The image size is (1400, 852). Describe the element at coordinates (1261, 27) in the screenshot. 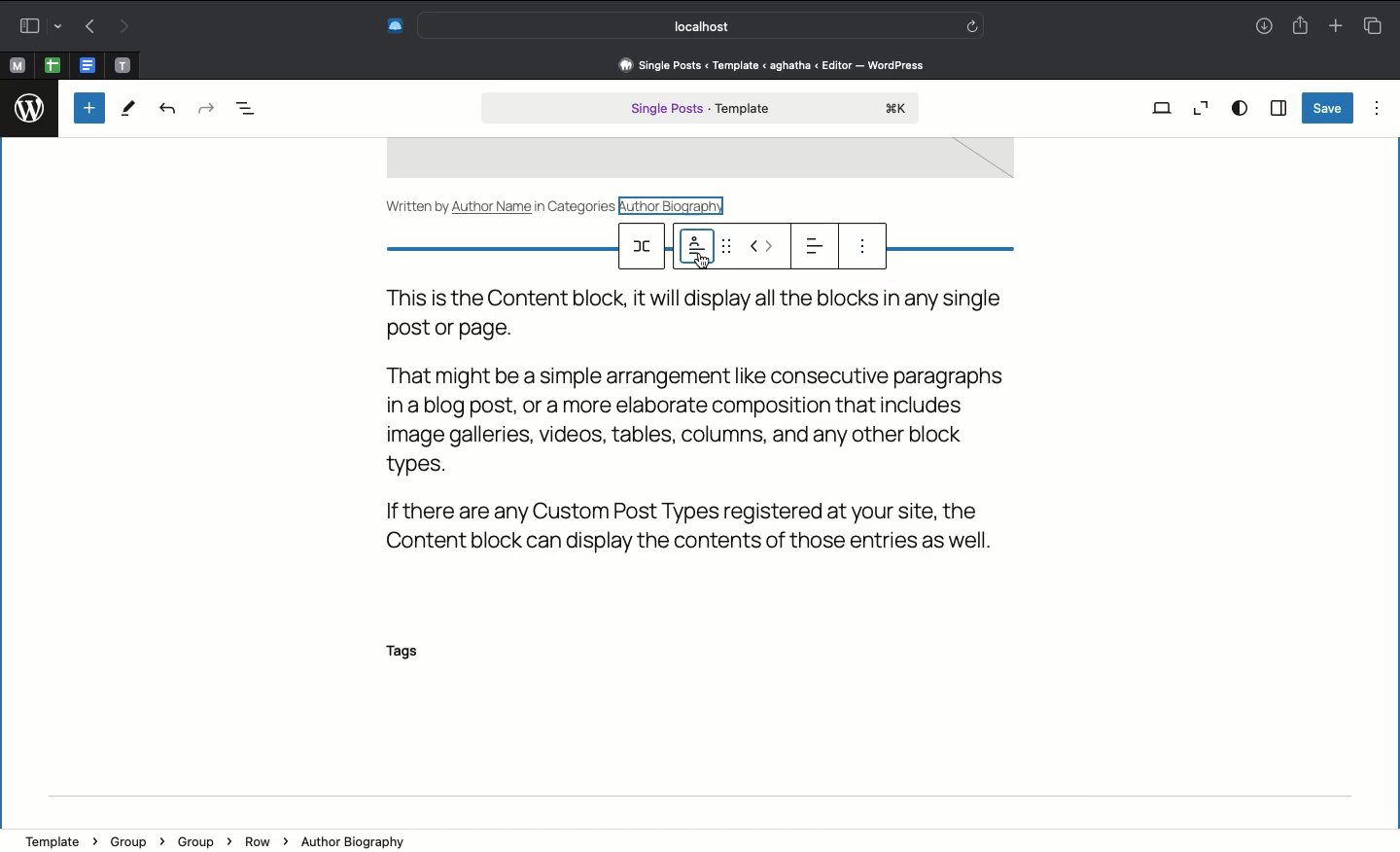

I see `Download` at that location.